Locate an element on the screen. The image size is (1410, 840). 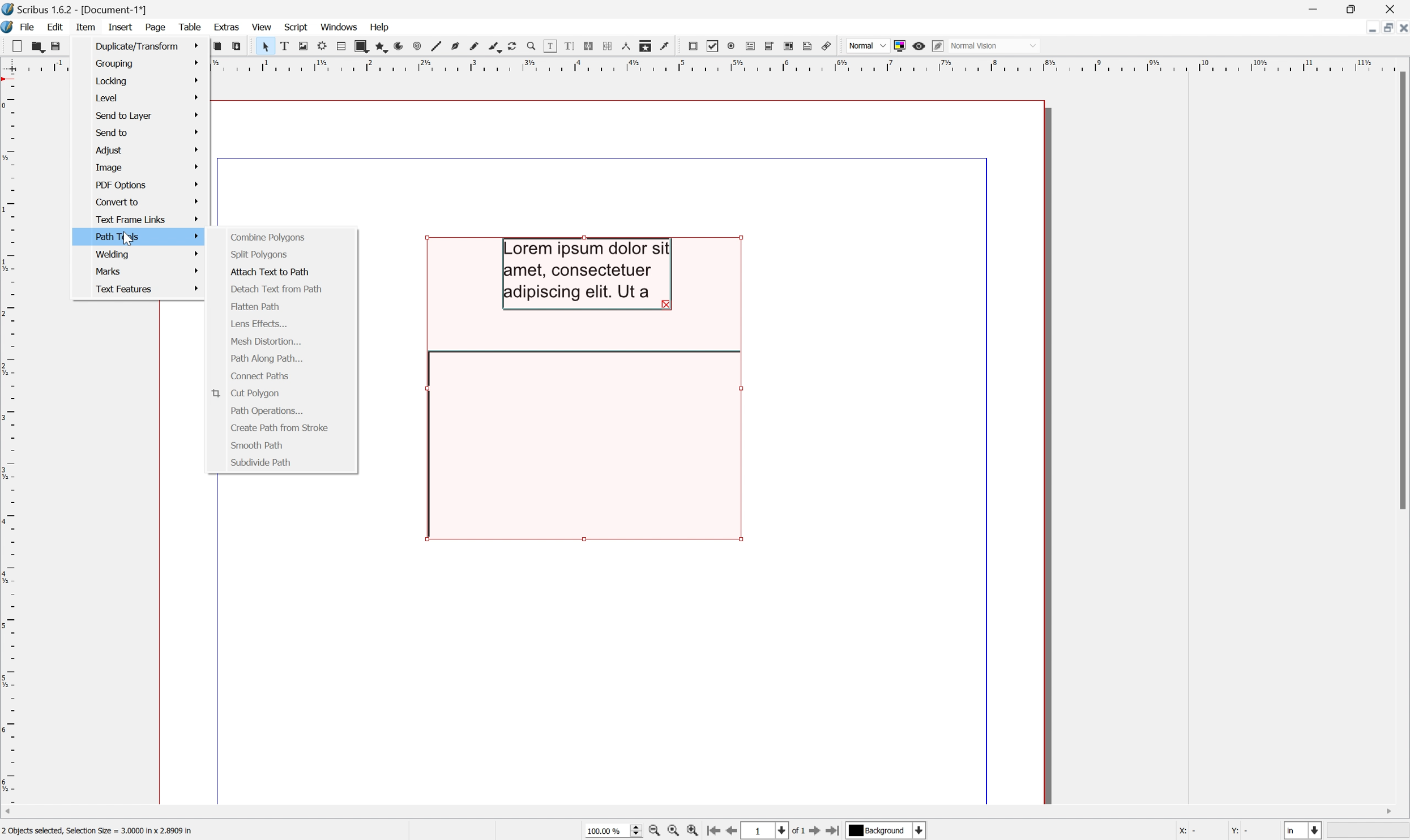
Restore Down is located at coordinates (1351, 7).